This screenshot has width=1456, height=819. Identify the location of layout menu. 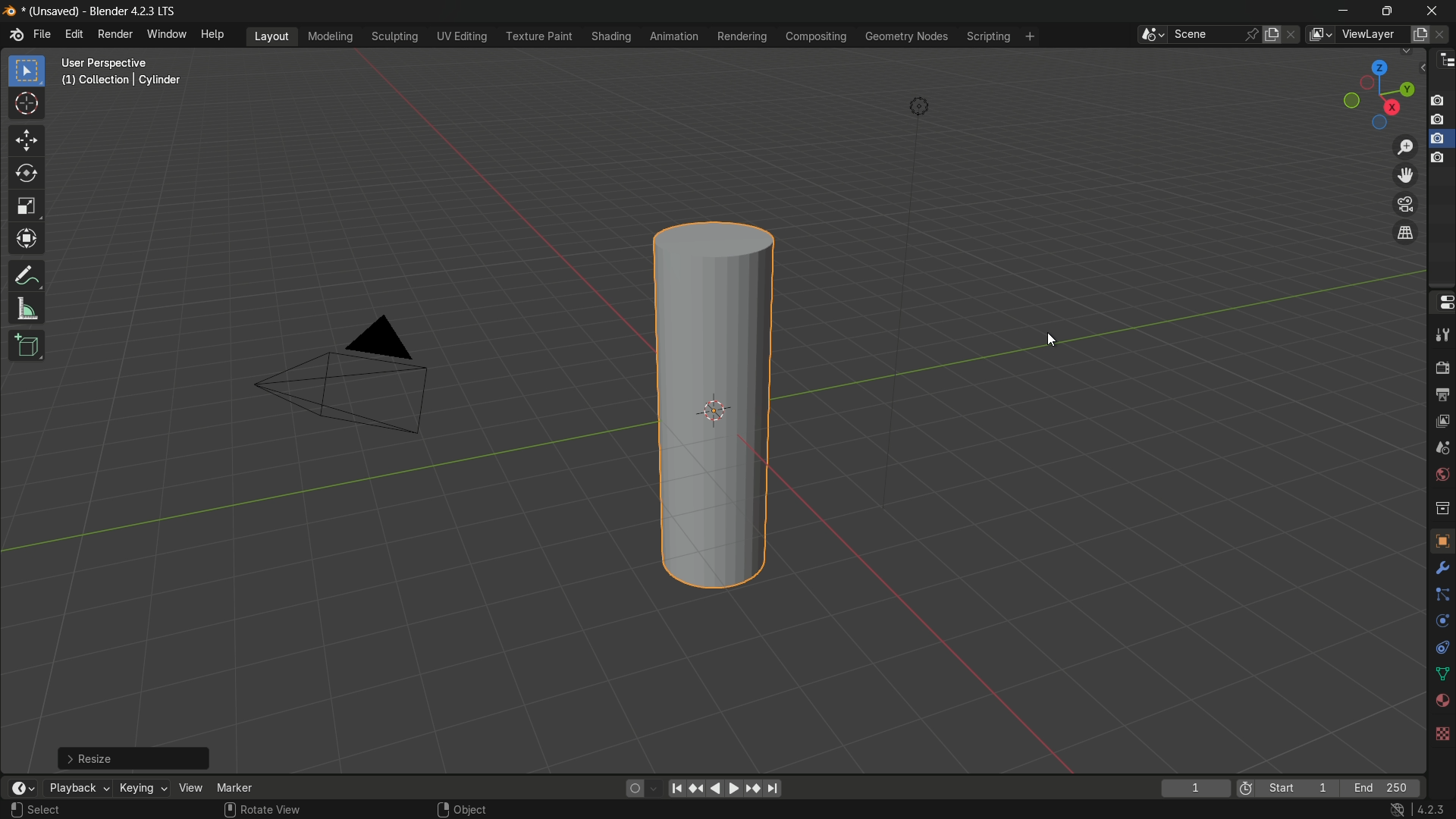
(273, 36).